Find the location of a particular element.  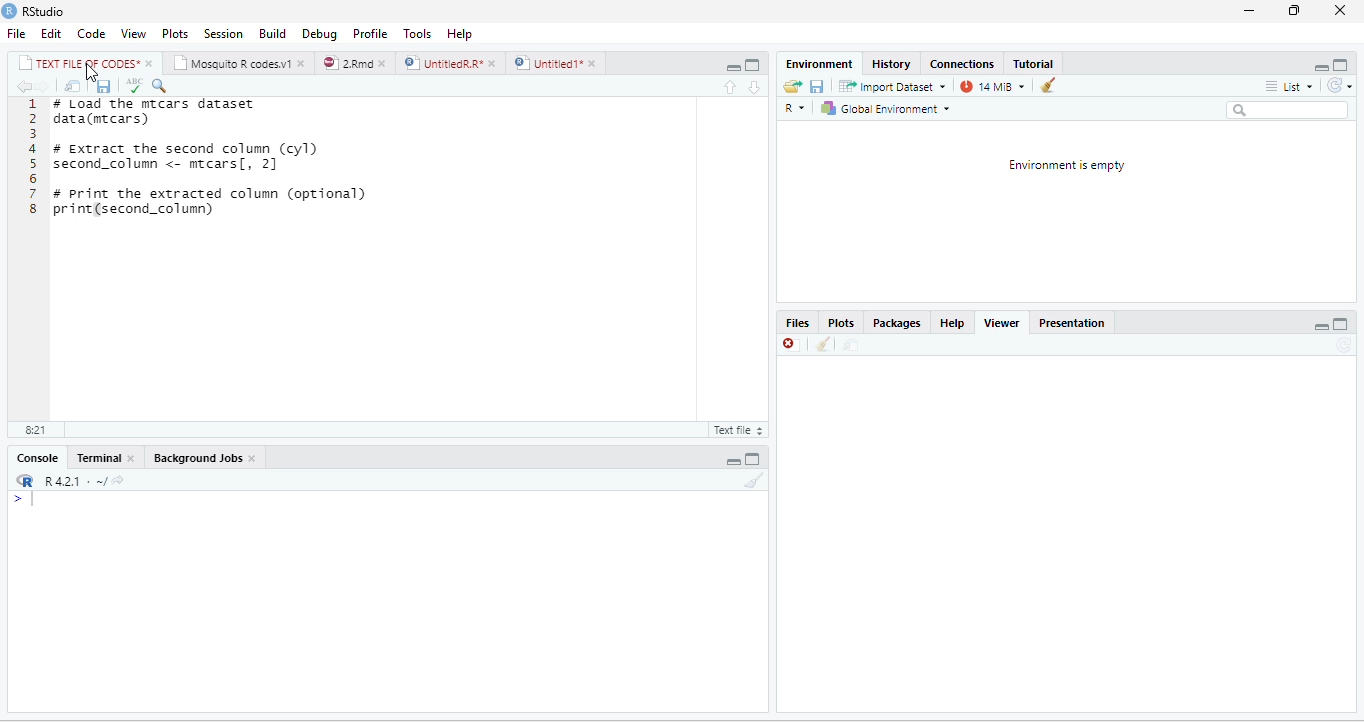

 R421 « ~ is located at coordinates (66, 478).